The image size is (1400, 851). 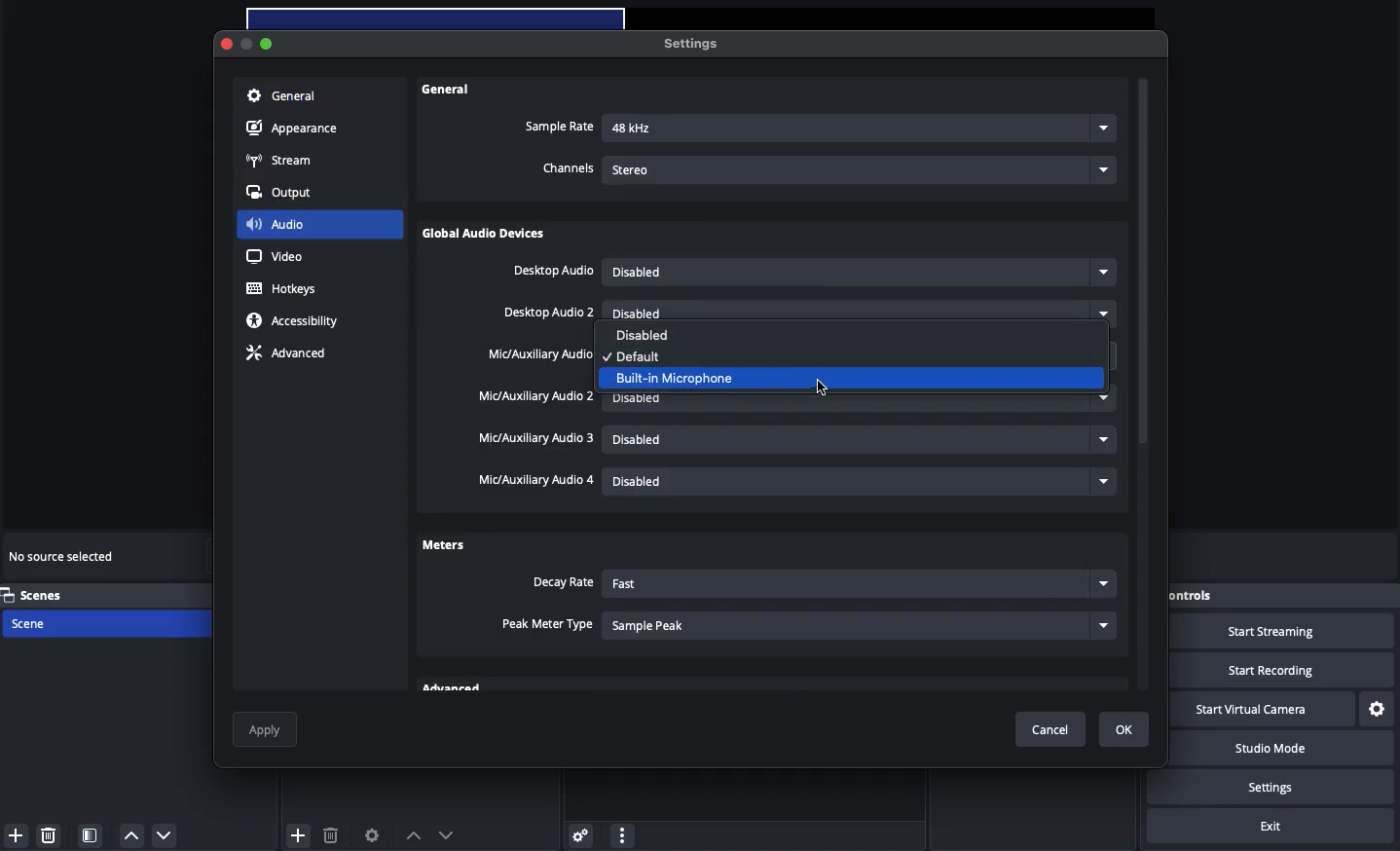 I want to click on Start recording, so click(x=1285, y=670).